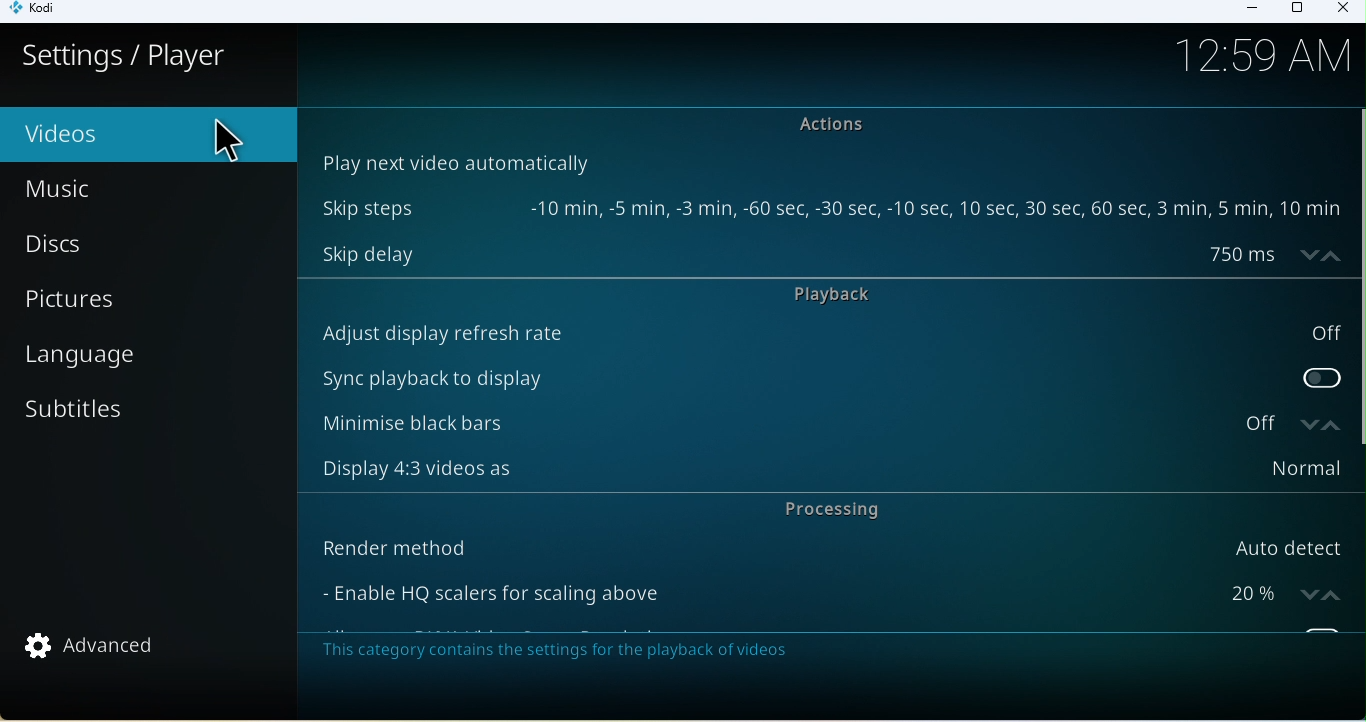 The height and width of the screenshot is (722, 1366). Describe the element at coordinates (237, 142) in the screenshot. I see `Cursor` at that location.